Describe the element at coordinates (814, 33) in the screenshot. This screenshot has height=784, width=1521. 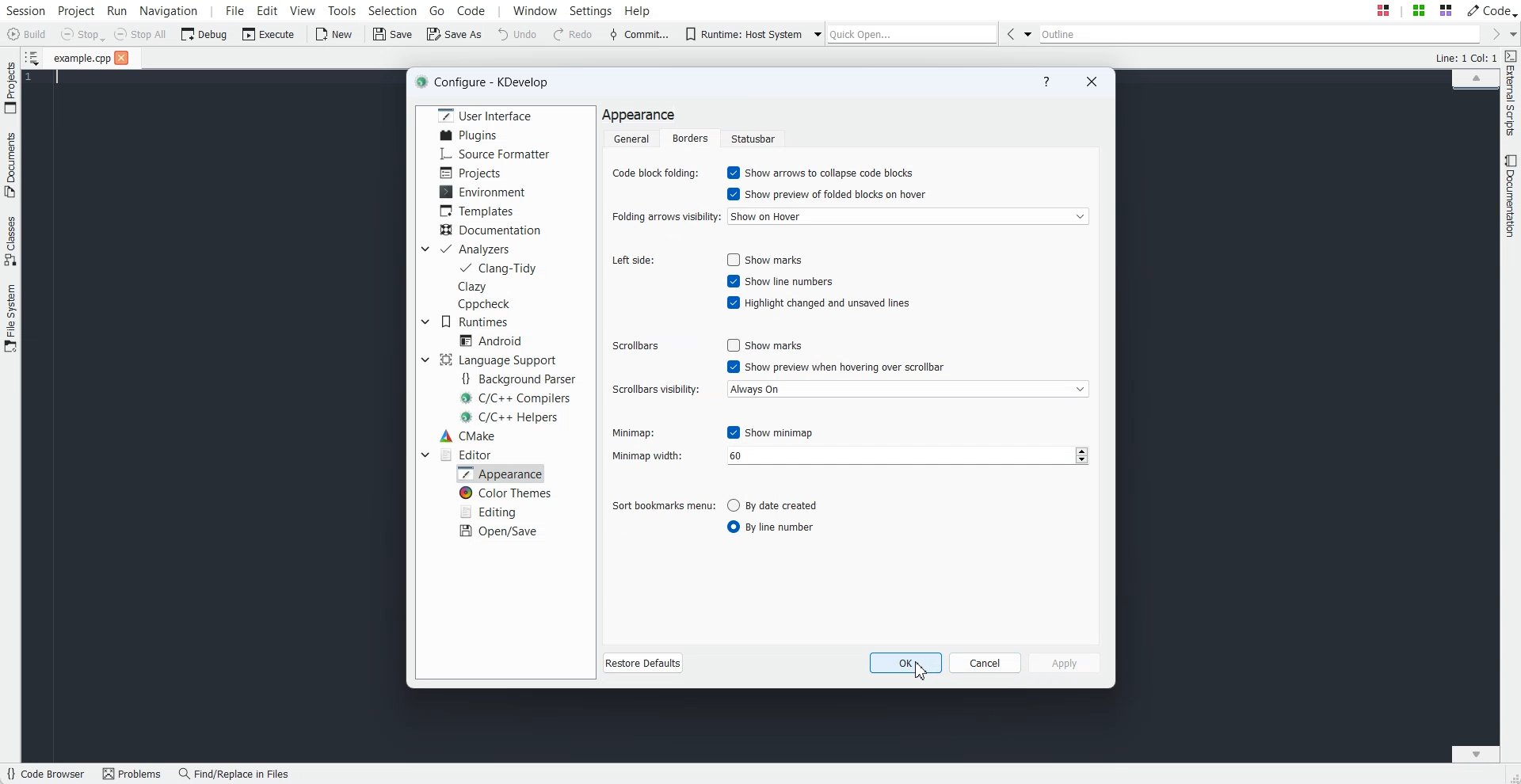
I see `Drop down box` at that location.